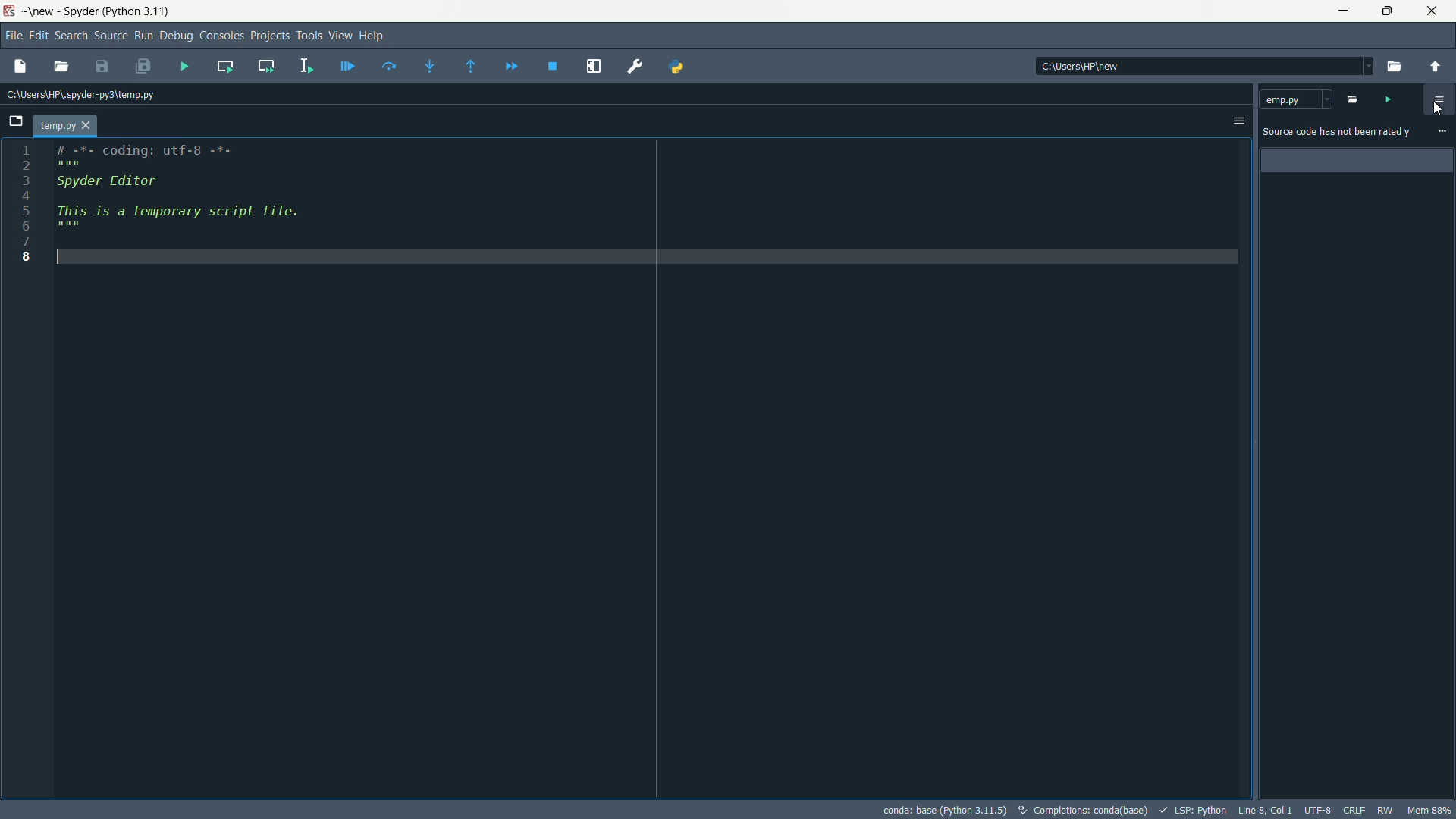 The width and height of the screenshot is (1456, 819). Describe the element at coordinates (1442, 132) in the screenshot. I see `more options` at that location.